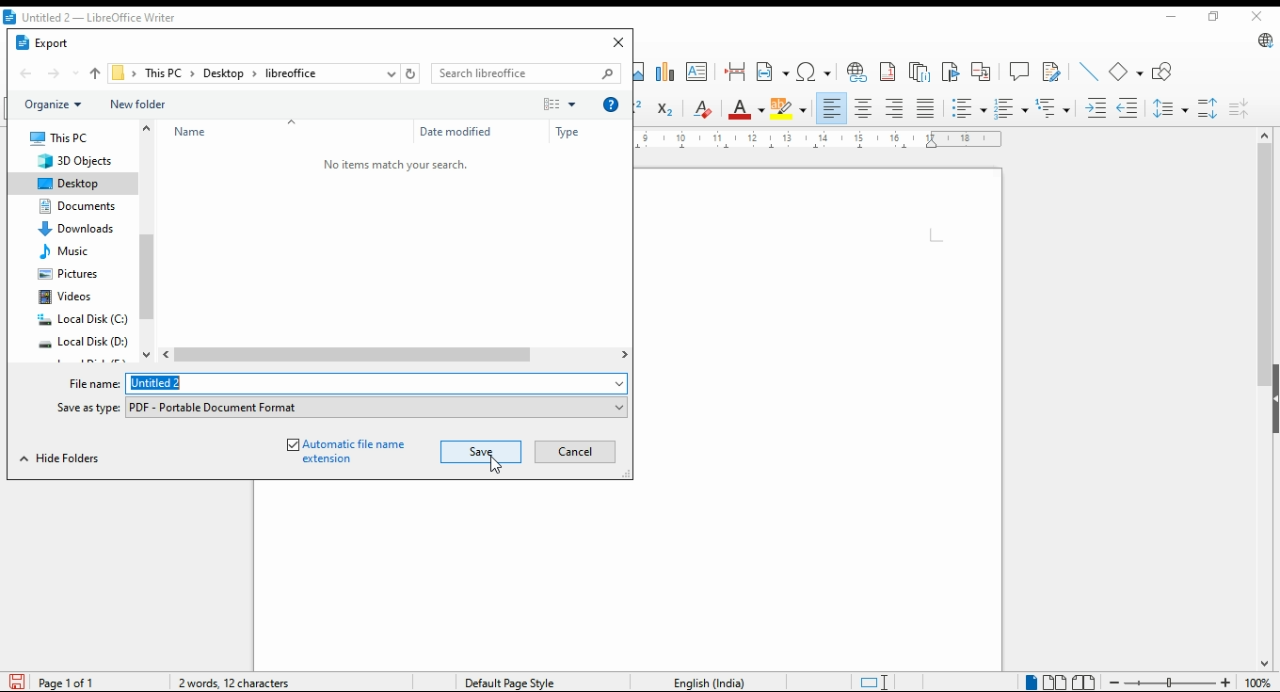  Describe the element at coordinates (927, 110) in the screenshot. I see `justified` at that location.